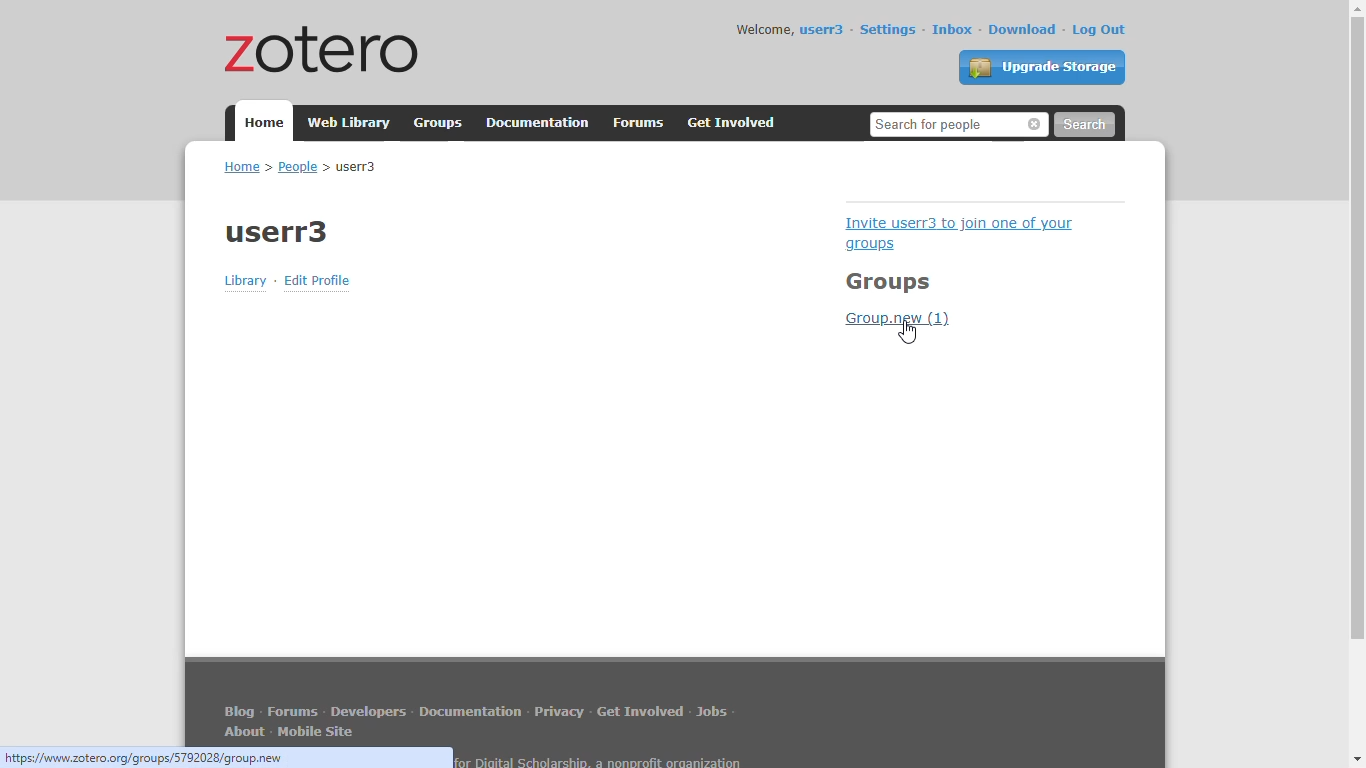  What do you see at coordinates (300, 166) in the screenshot?
I see `home > people > userr3` at bounding box center [300, 166].